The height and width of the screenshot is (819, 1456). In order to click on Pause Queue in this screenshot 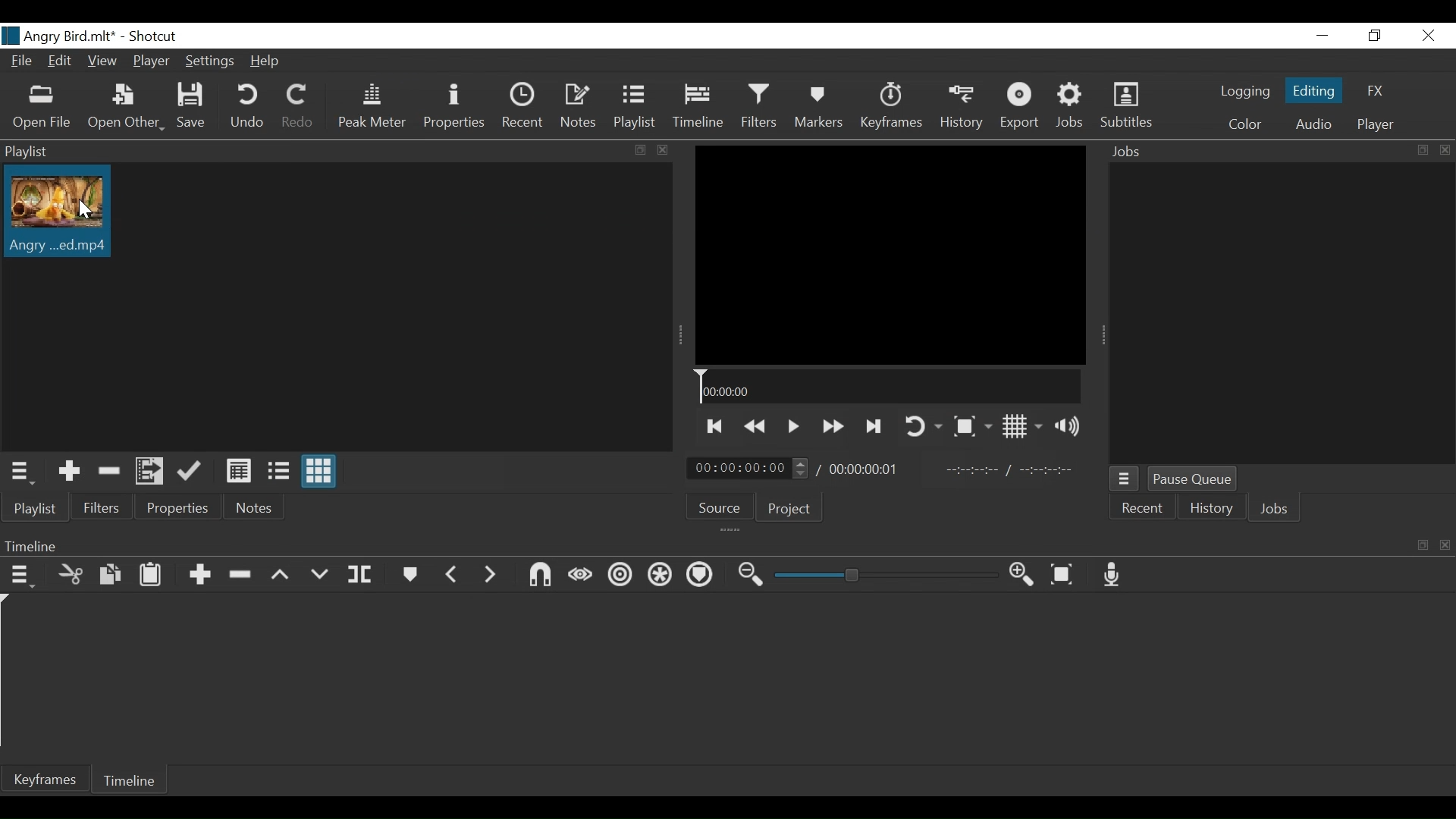, I will do `click(1193, 479)`.